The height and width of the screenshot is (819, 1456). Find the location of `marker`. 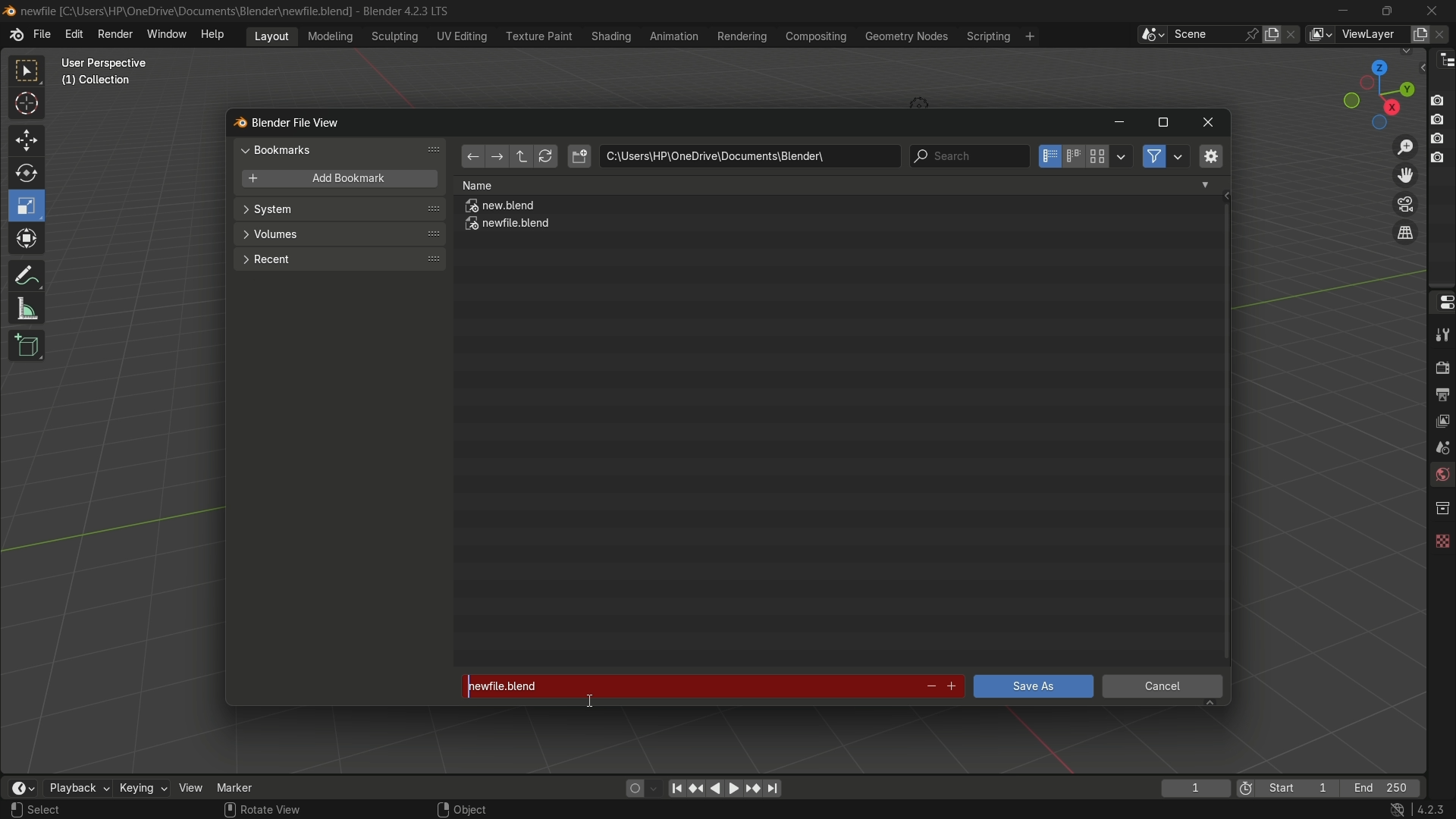

marker is located at coordinates (246, 786).